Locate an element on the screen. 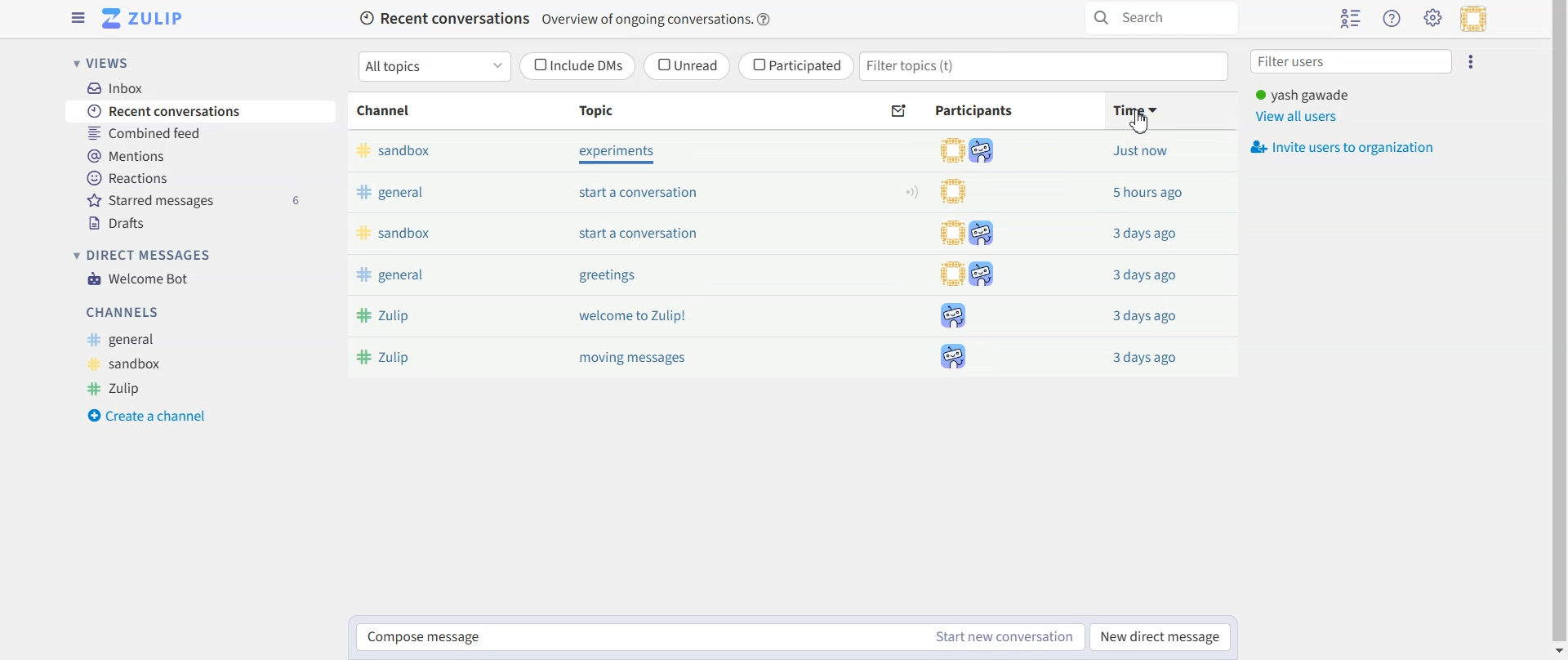  Channels is located at coordinates (121, 312).